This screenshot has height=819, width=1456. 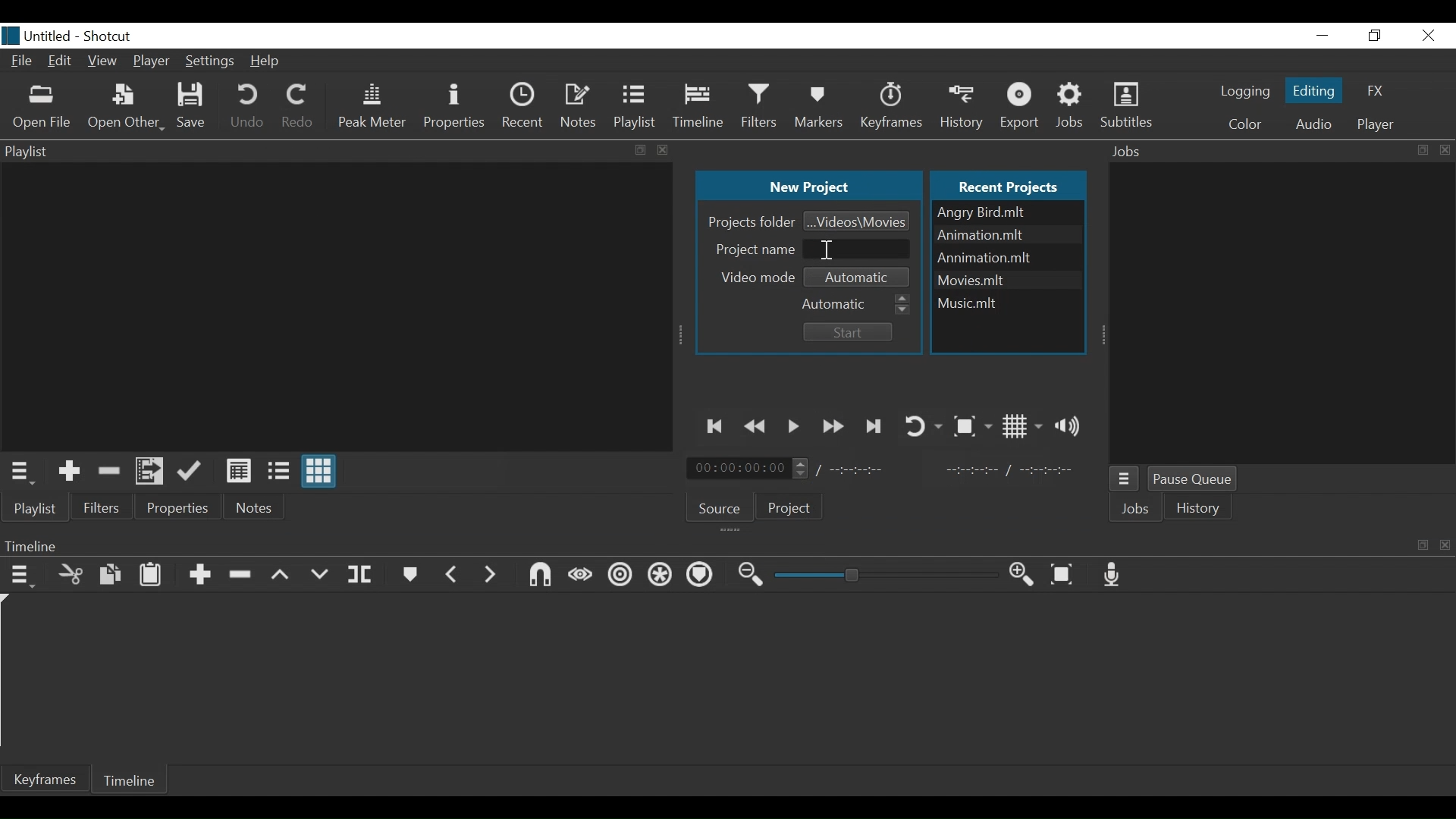 What do you see at coordinates (152, 61) in the screenshot?
I see `Player` at bounding box center [152, 61].